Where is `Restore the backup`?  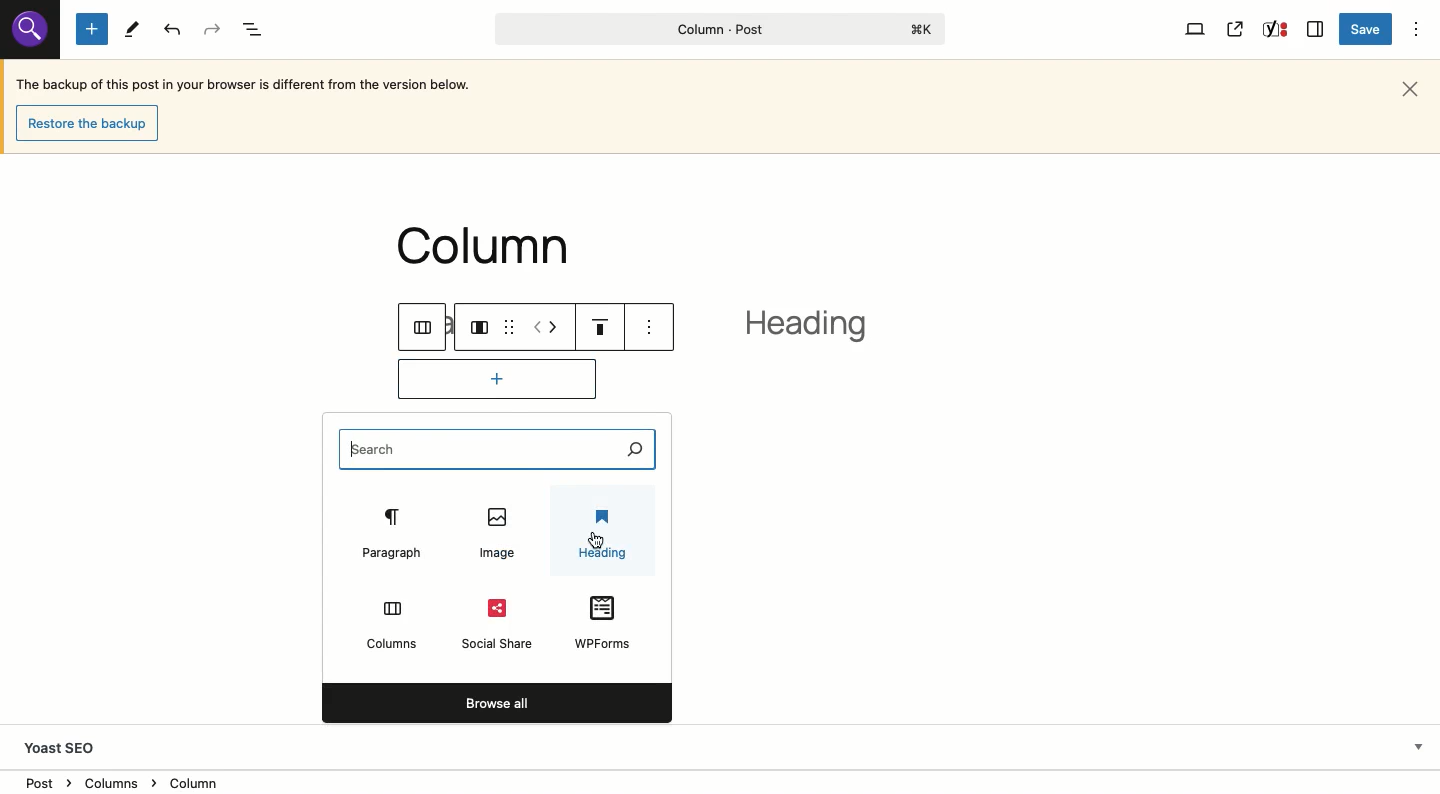
Restore the backup is located at coordinates (92, 124).